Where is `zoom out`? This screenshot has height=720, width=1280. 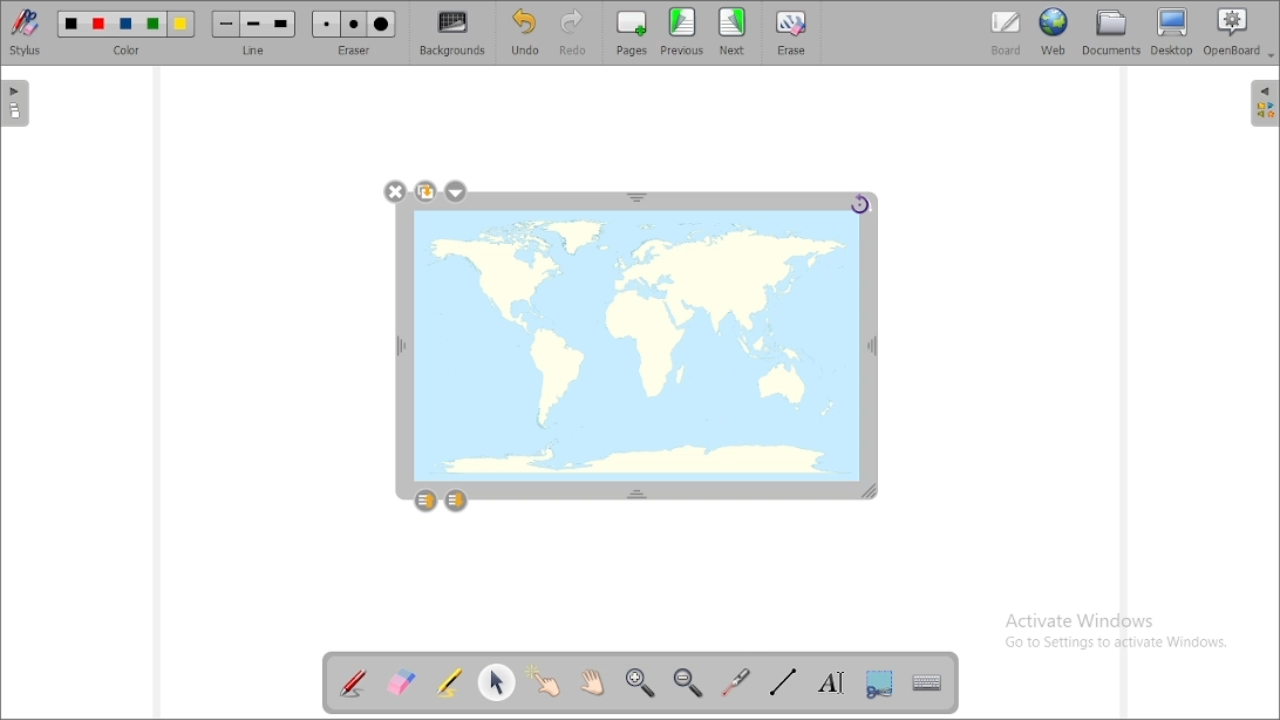 zoom out is located at coordinates (689, 682).